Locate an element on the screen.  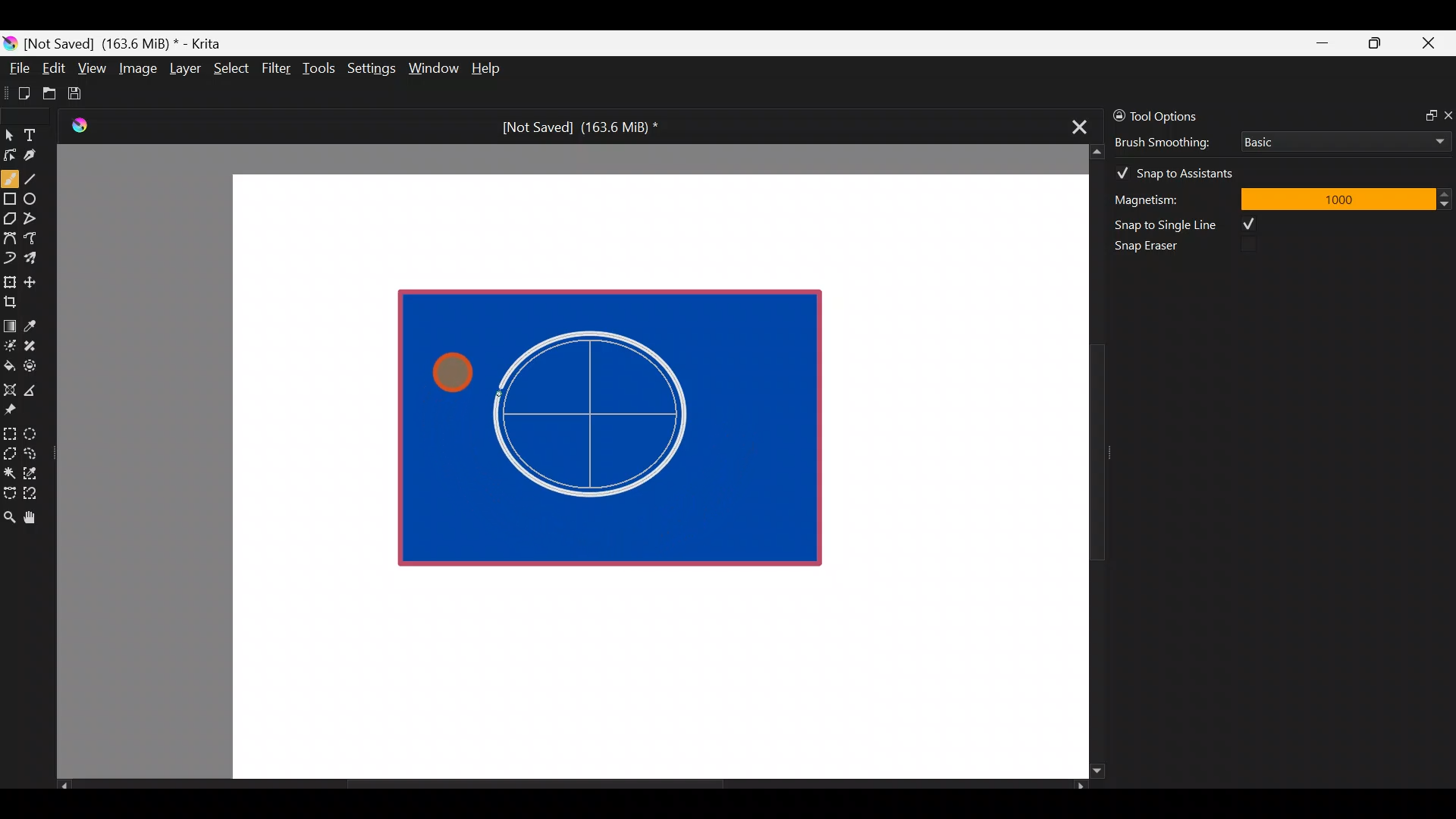
Zoom tool is located at coordinates (9, 516).